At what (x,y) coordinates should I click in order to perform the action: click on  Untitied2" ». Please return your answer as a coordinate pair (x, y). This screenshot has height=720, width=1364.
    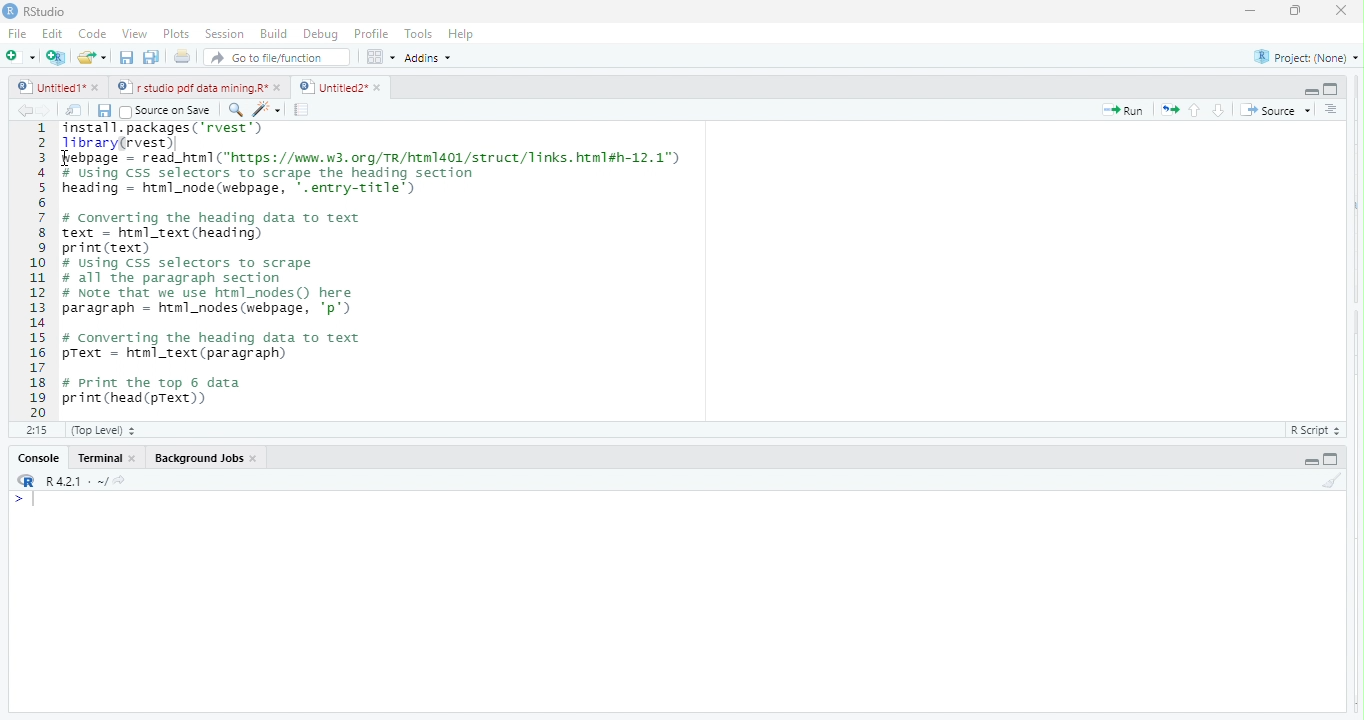
    Looking at the image, I should click on (337, 88).